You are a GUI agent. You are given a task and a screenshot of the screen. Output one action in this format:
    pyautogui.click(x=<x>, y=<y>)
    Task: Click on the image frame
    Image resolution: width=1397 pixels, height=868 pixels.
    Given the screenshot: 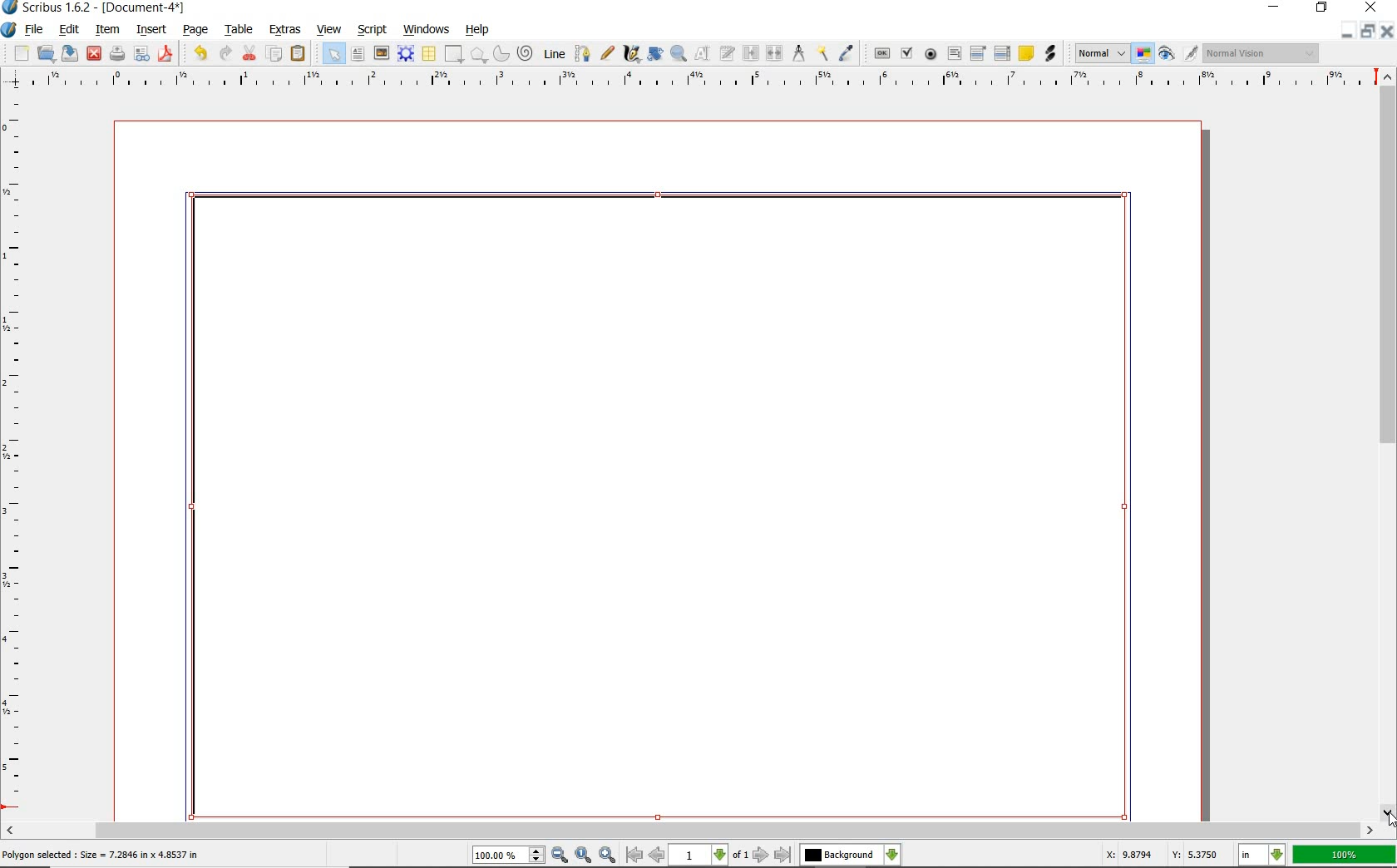 What is the action you would take?
    pyautogui.click(x=382, y=55)
    